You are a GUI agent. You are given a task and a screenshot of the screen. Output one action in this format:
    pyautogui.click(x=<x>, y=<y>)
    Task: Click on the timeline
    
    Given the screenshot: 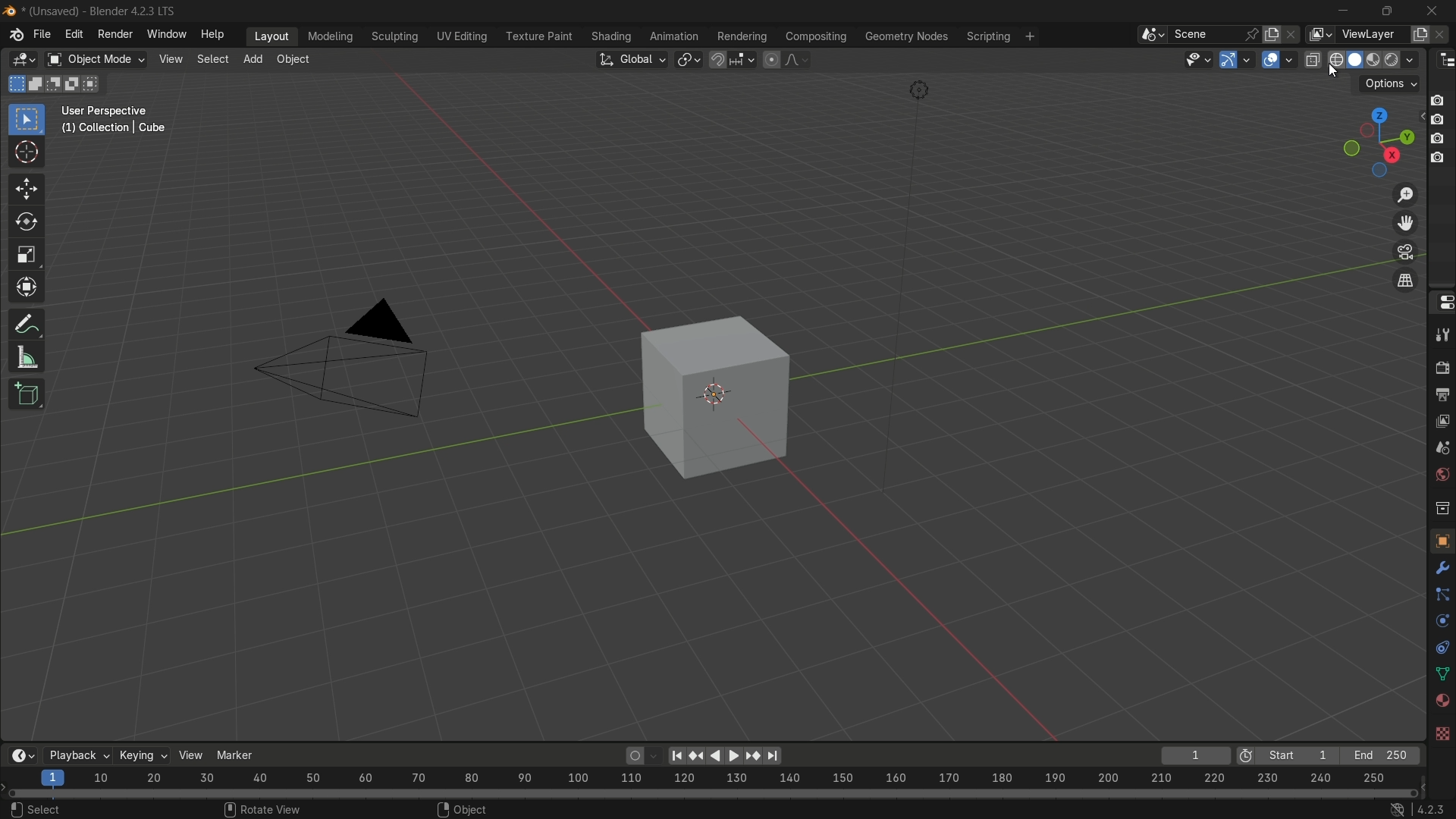 What is the action you would take?
    pyautogui.click(x=15, y=755)
    